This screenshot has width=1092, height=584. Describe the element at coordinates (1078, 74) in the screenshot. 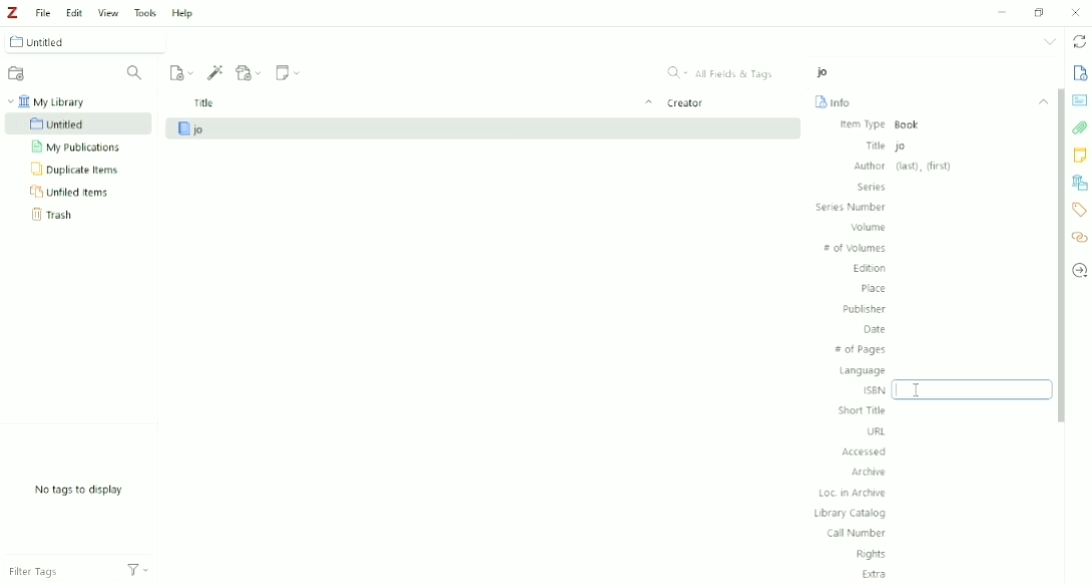

I see `Info` at that location.